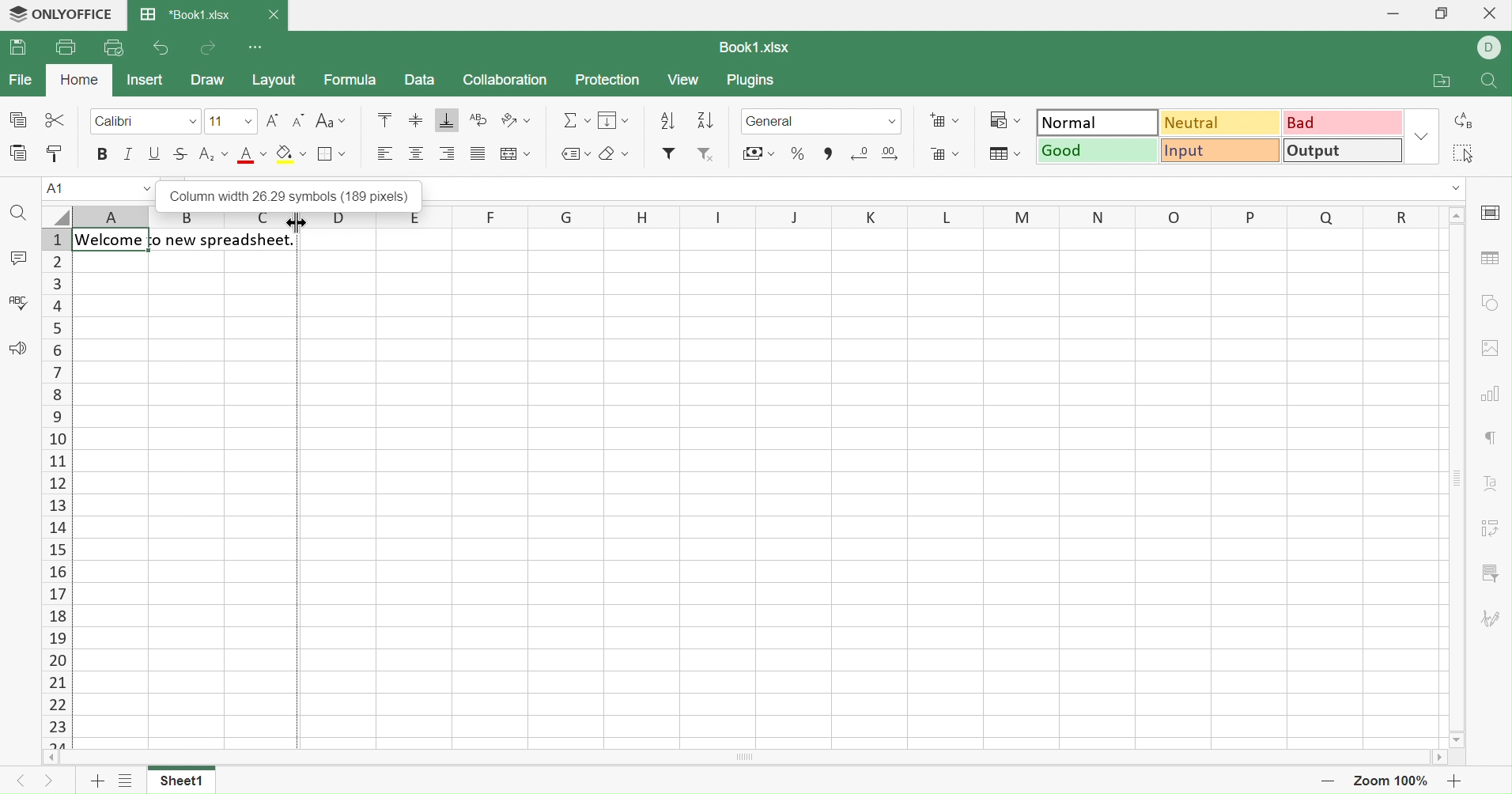  Describe the element at coordinates (1487, 16) in the screenshot. I see `Close` at that location.